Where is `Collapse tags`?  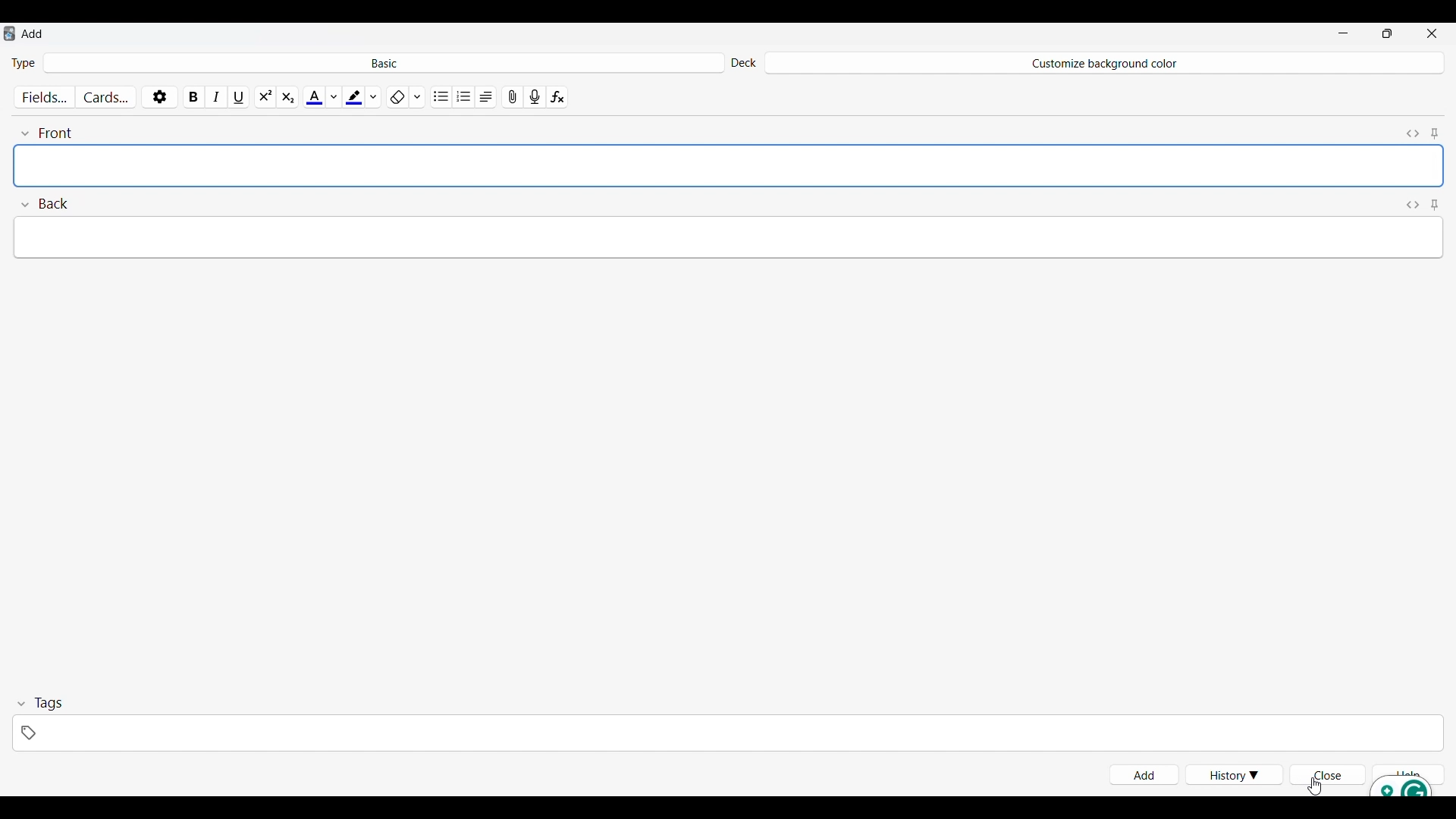 Collapse tags is located at coordinates (40, 704).